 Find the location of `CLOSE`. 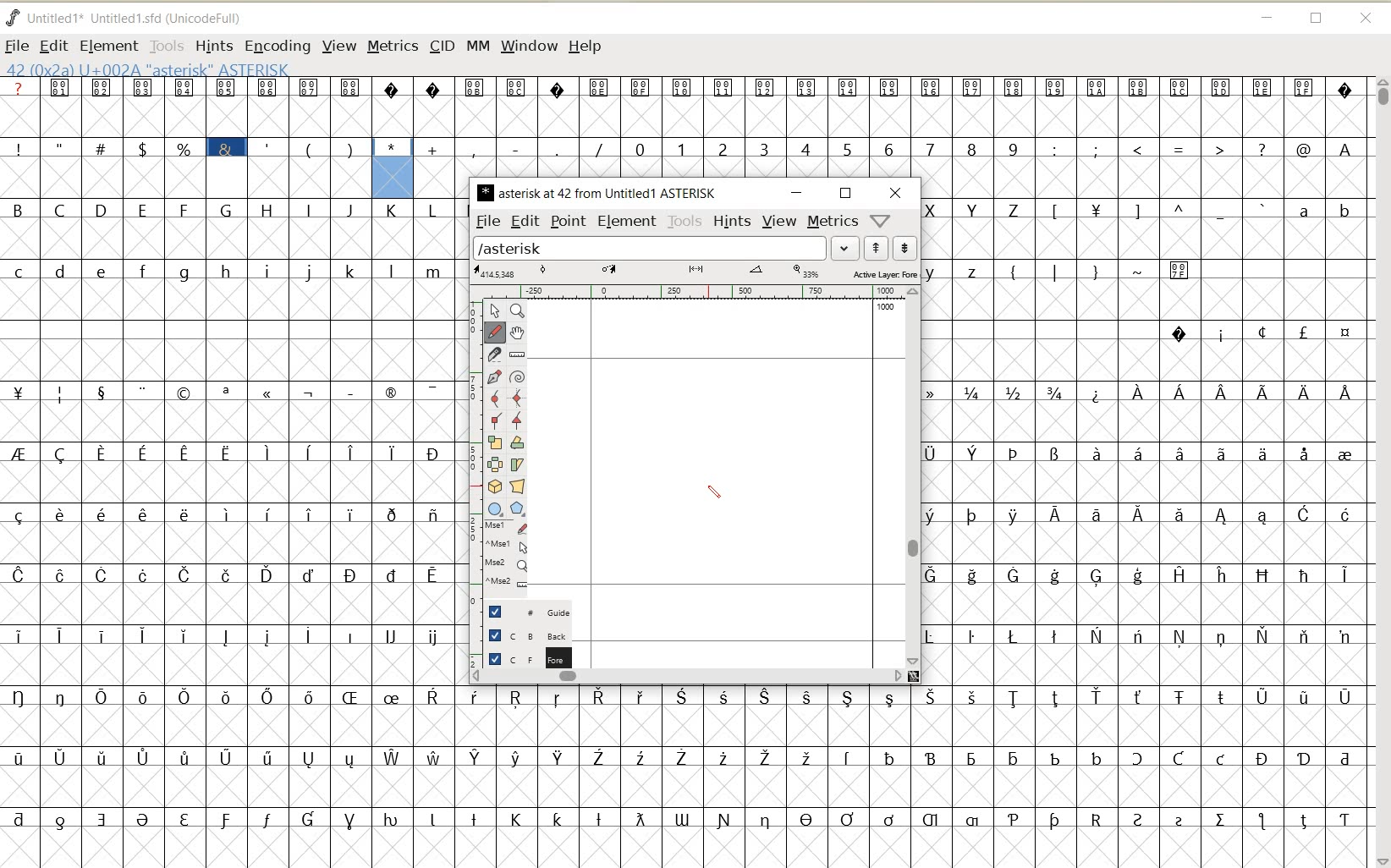

CLOSE is located at coordinates (1365, 18).